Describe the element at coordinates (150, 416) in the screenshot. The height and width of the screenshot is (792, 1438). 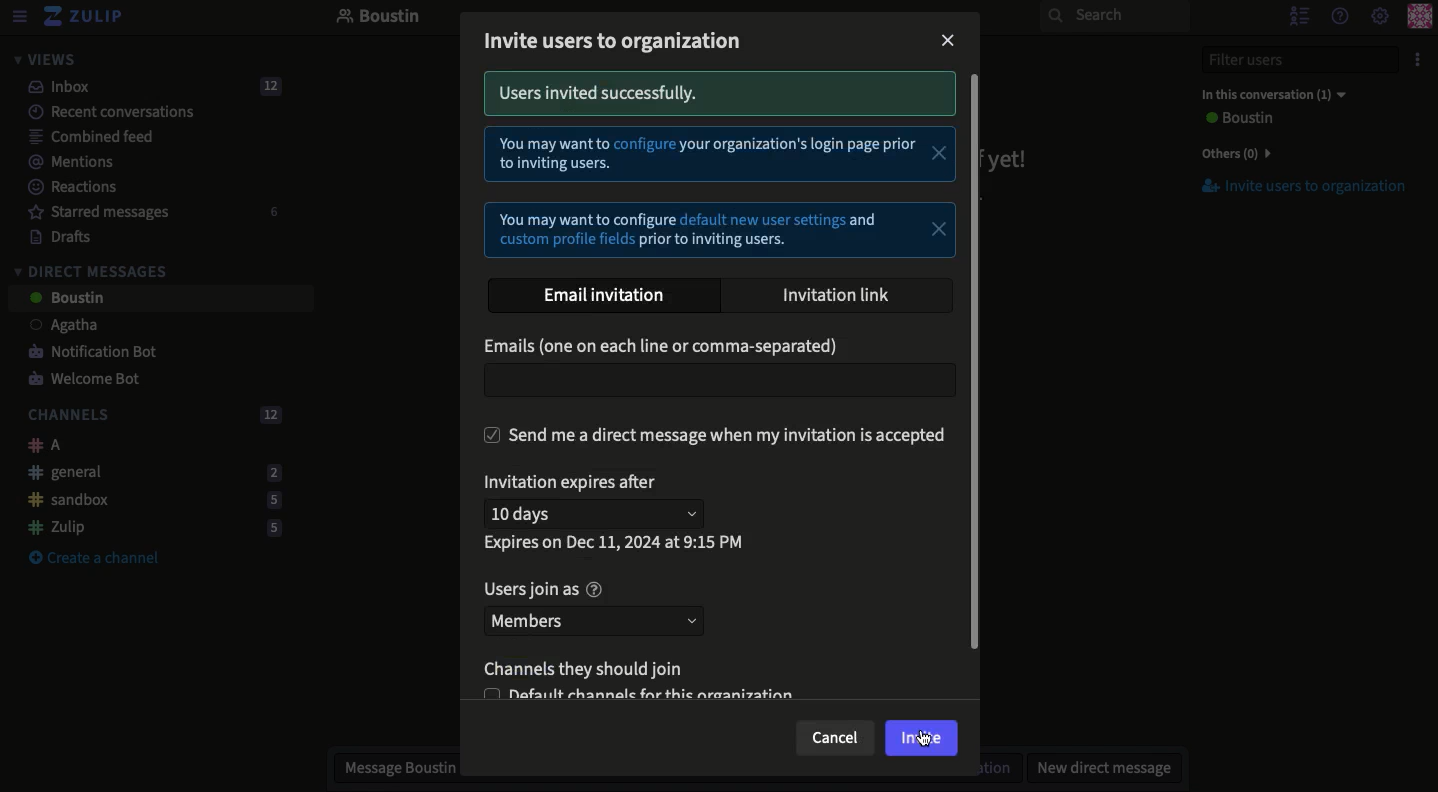
I see `Channels` at that location.